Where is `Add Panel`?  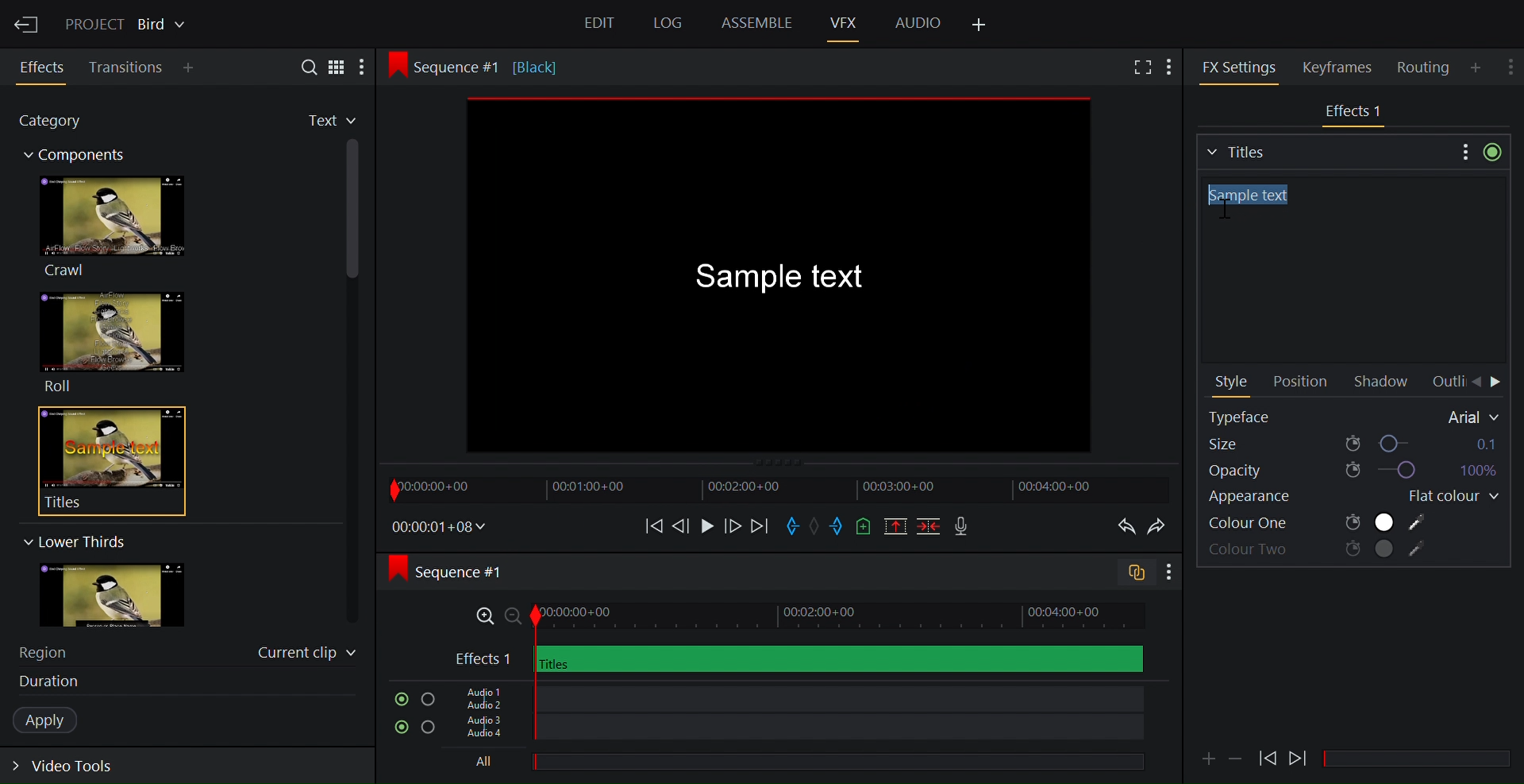 Add Panel is located at coordinates (1478, 67).